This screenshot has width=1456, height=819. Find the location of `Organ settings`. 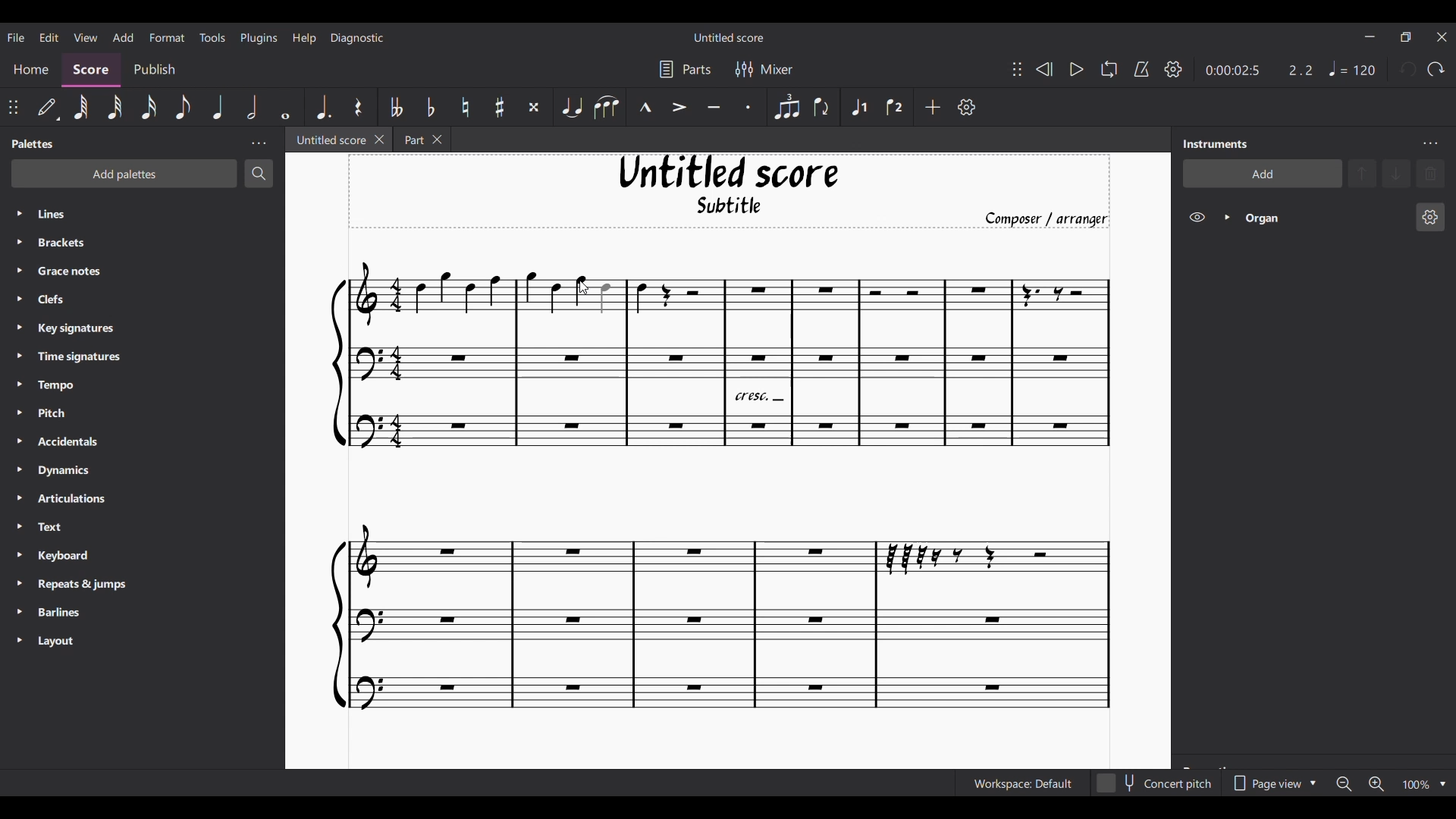

Organ settings is located at coordinates (1431, 217).